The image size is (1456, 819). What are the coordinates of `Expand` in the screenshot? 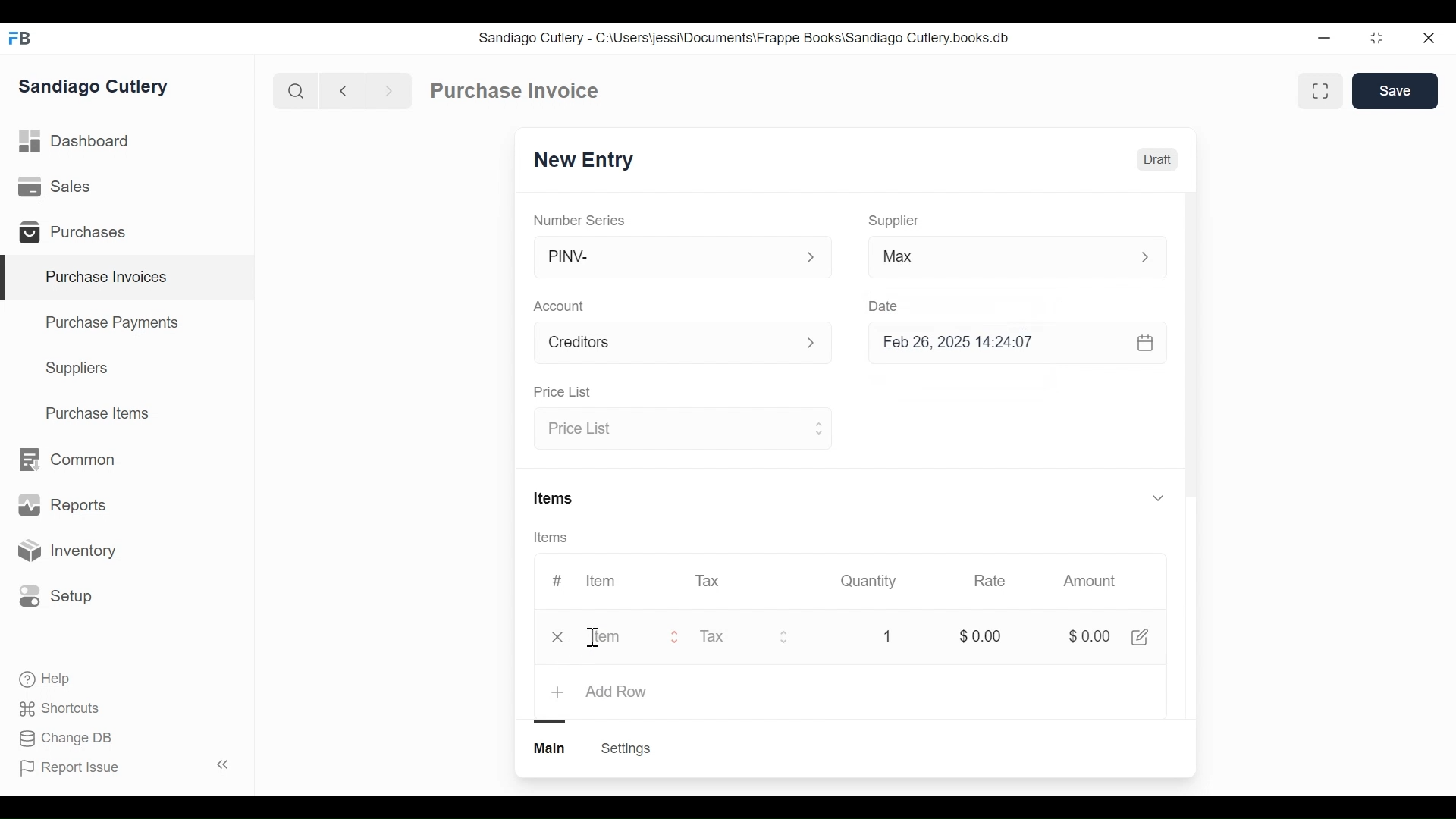 It's located at (1157, 497).